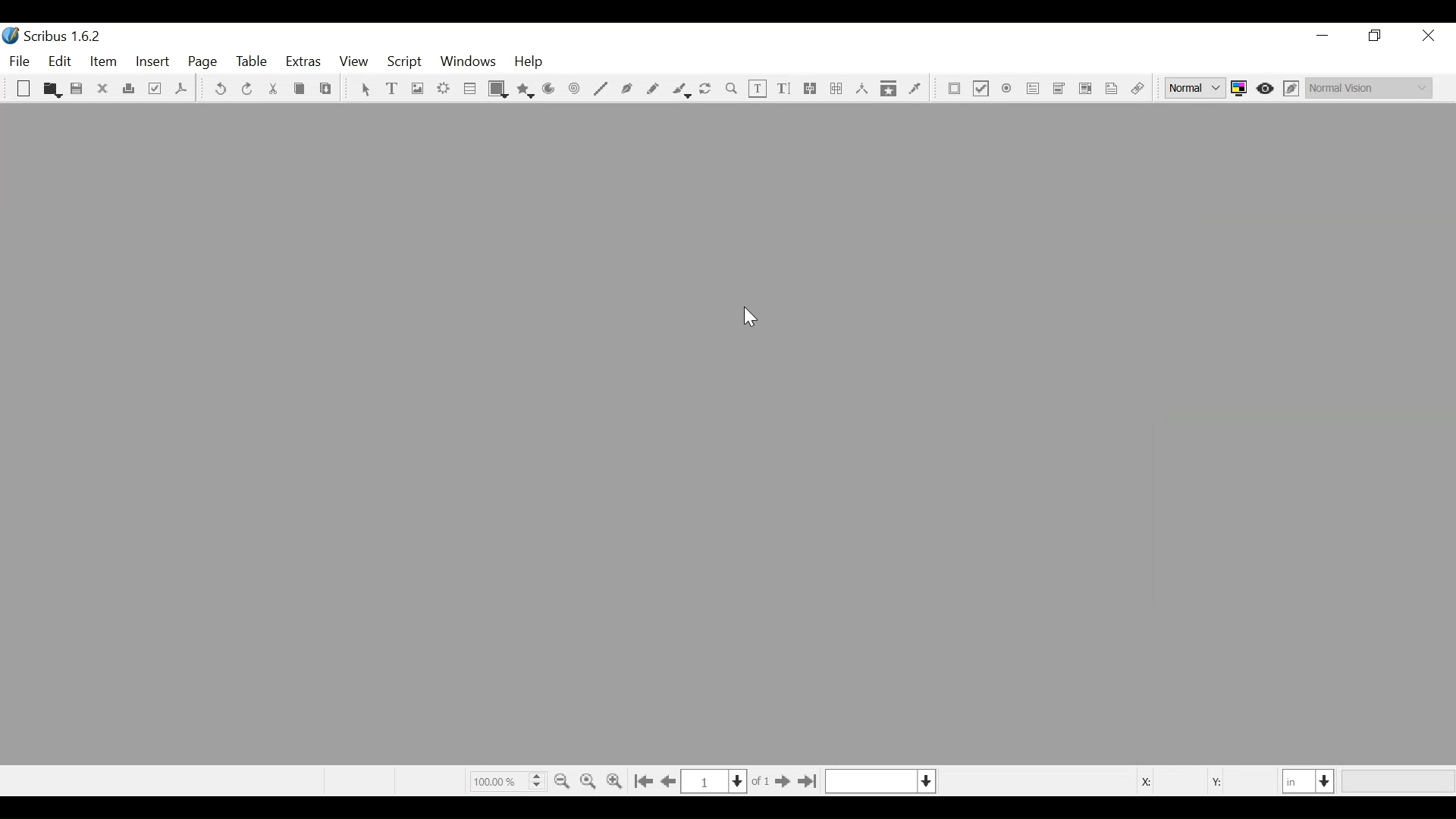 The height and width of the screenshot is (819, 1456). Describe the element at coordinates (1034, 90) in the screenshot. I see `PDF Combo Box` at that location.